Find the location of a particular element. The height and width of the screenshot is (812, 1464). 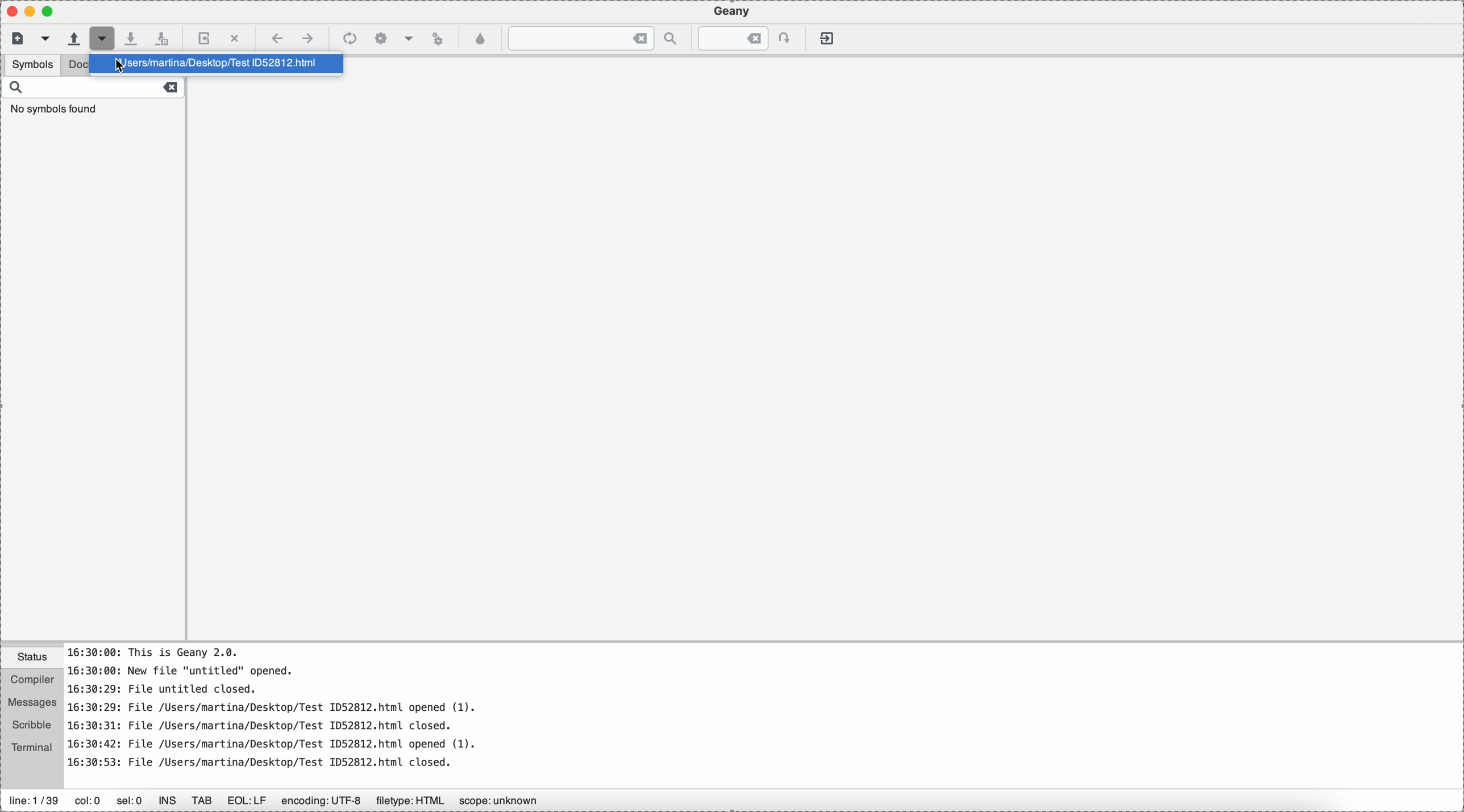

quit Geany is located at coordinates (826, 37).